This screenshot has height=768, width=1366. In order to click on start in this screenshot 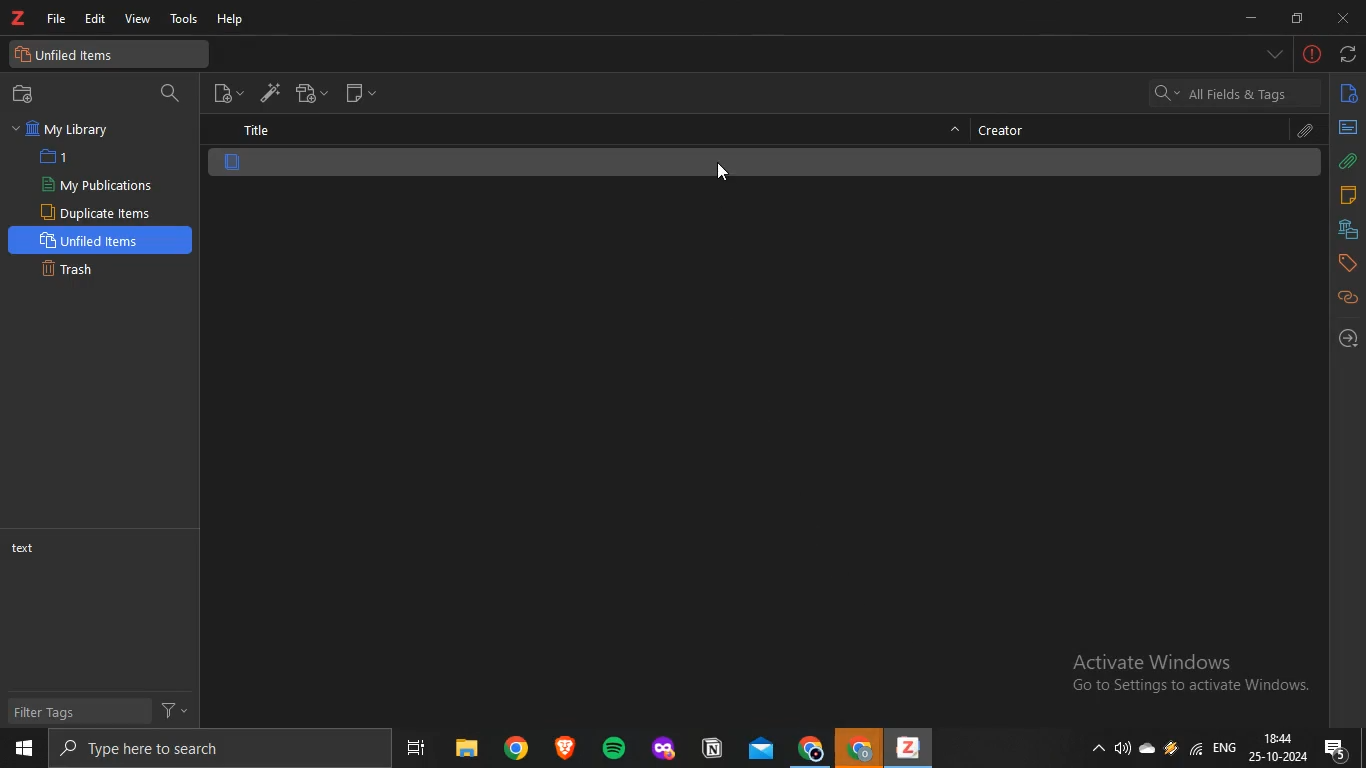, I will do `click(20, 750)`.